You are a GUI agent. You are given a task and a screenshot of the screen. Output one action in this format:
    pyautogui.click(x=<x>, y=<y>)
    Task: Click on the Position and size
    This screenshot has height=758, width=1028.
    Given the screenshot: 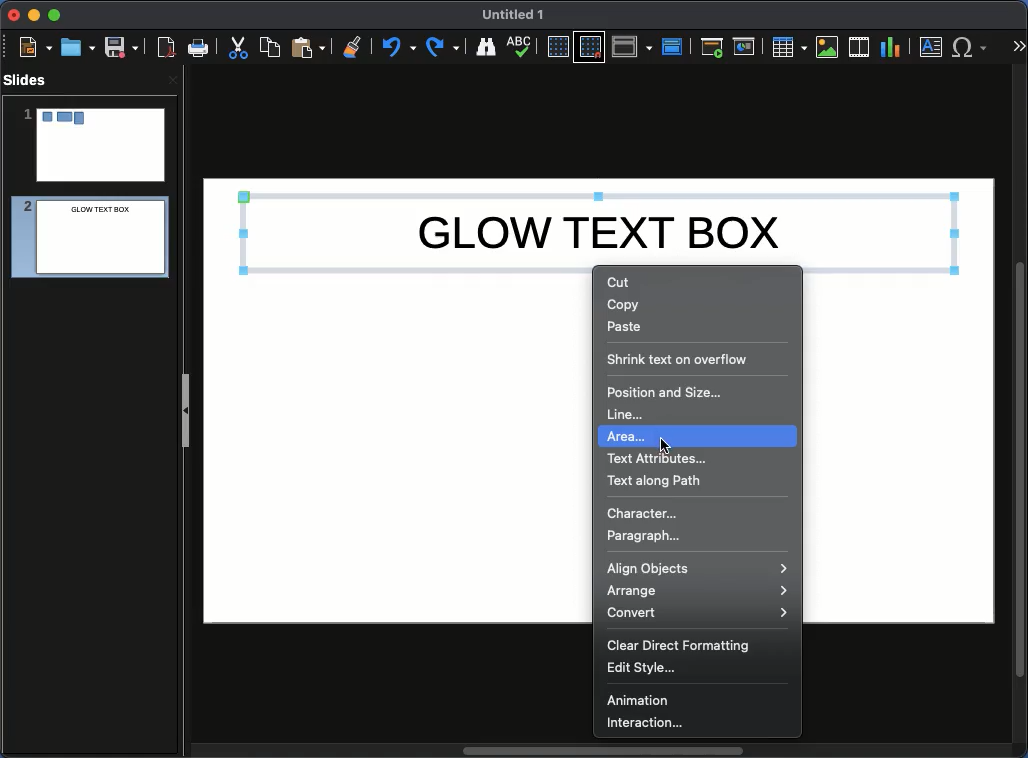 What is the action you would take?
    pyautogui.click(x=675, y=391)
    